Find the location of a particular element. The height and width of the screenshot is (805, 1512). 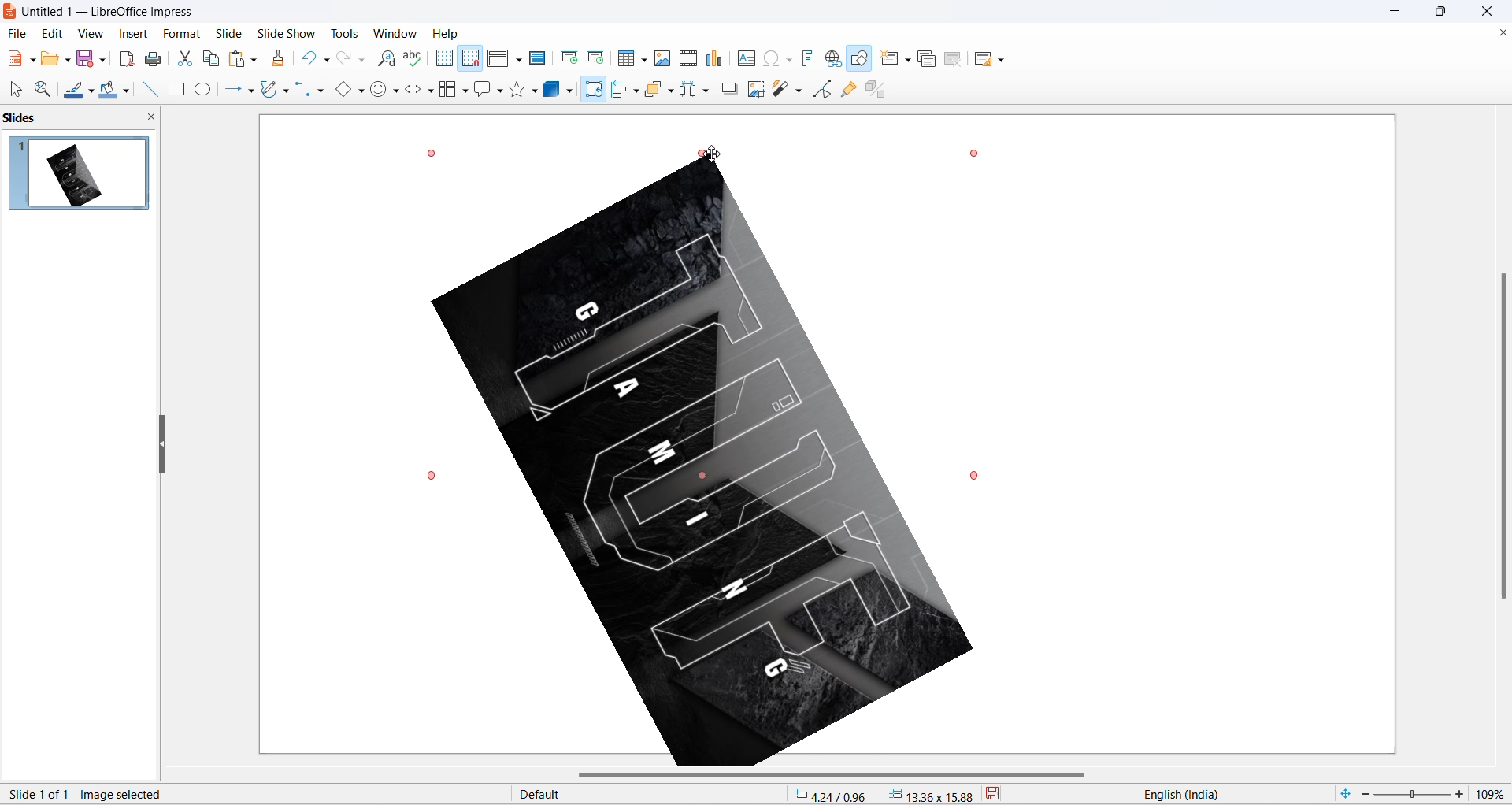

star options is located at coordinates (536, 91).